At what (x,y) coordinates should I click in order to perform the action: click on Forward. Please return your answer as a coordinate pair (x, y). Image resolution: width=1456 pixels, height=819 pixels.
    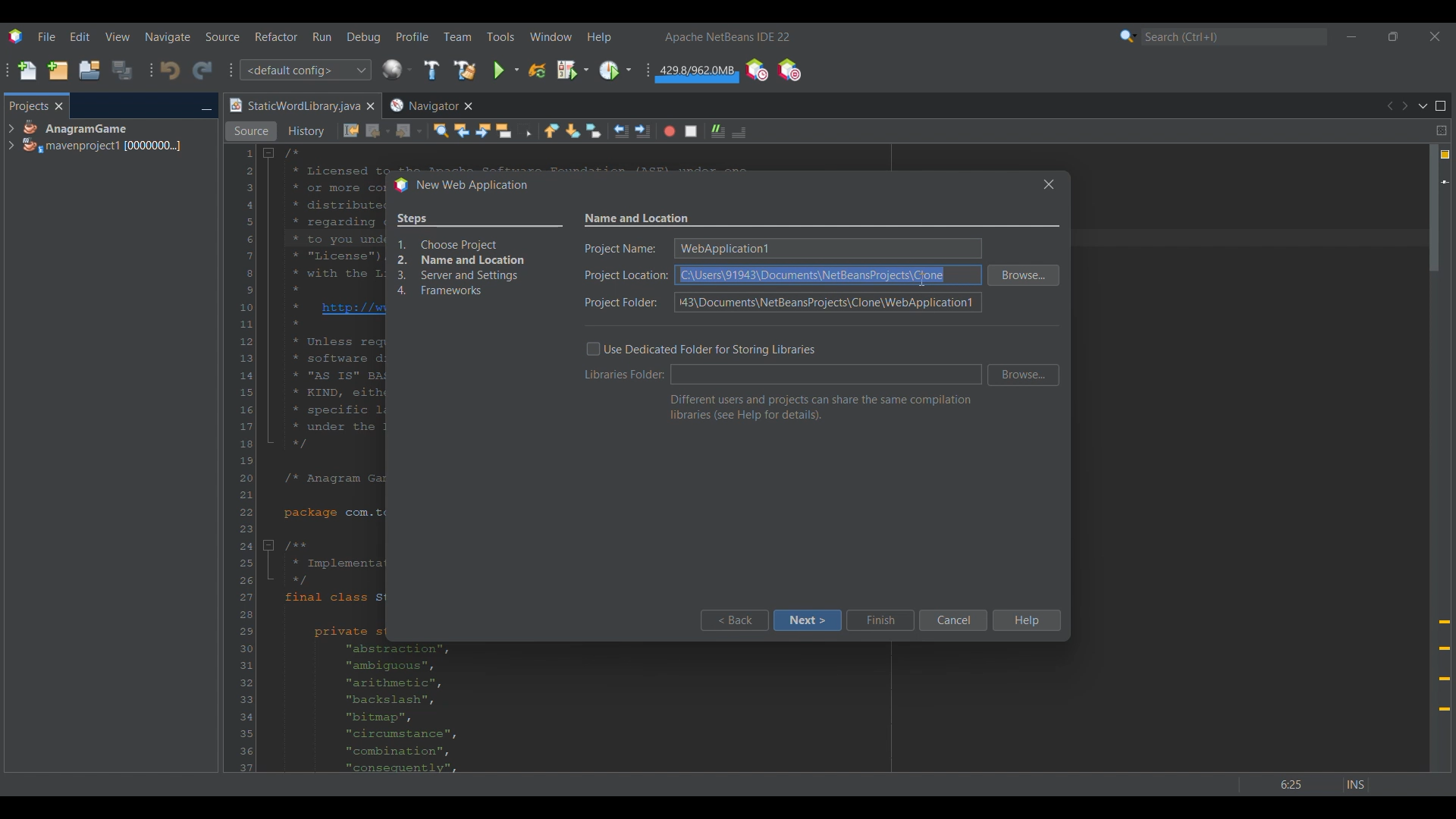
    Looking at the image, I should click on (409, 131).